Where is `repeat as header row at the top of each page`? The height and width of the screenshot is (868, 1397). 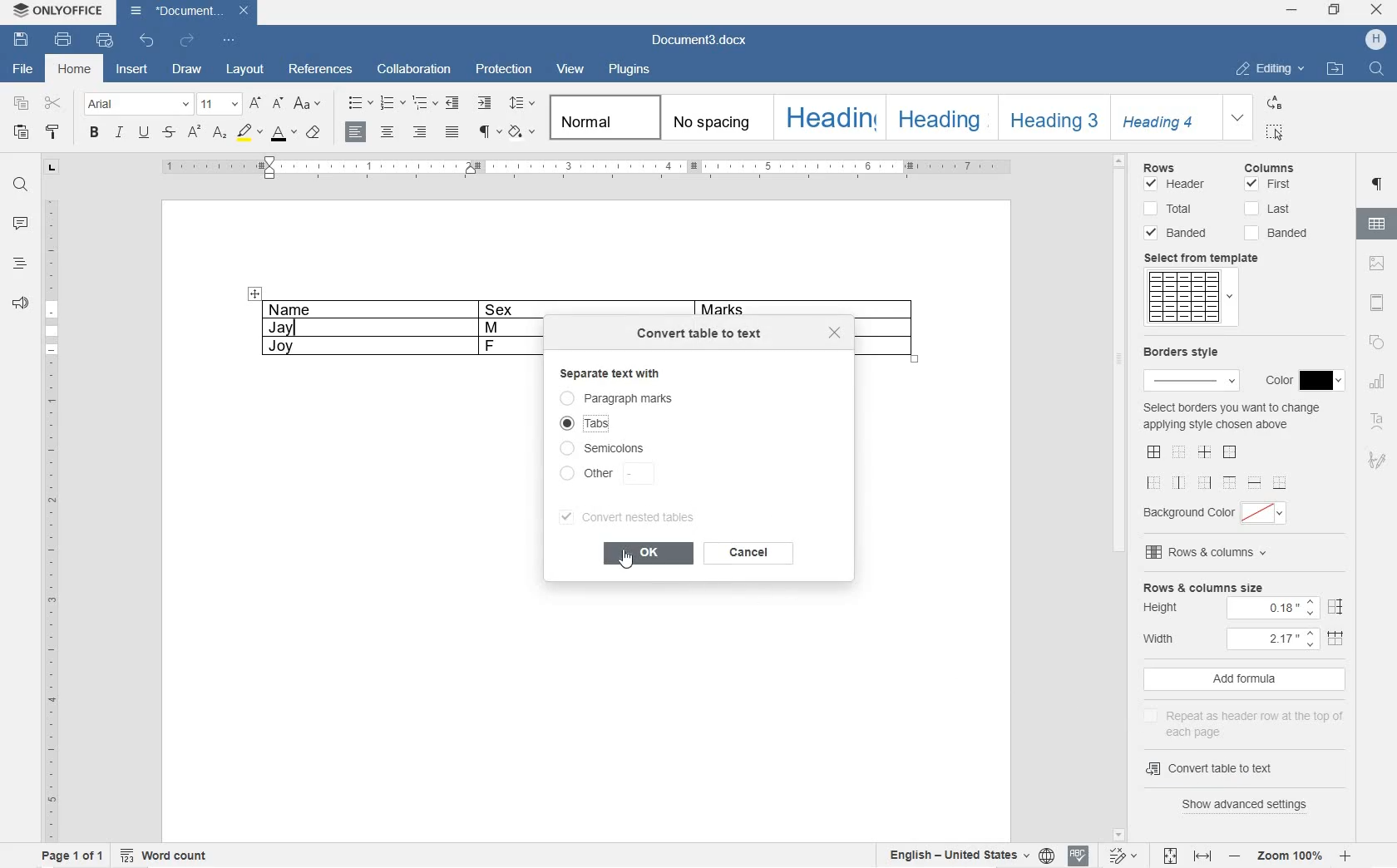 repeat as header row at the top of each page is located at coordinates (1242, 723).